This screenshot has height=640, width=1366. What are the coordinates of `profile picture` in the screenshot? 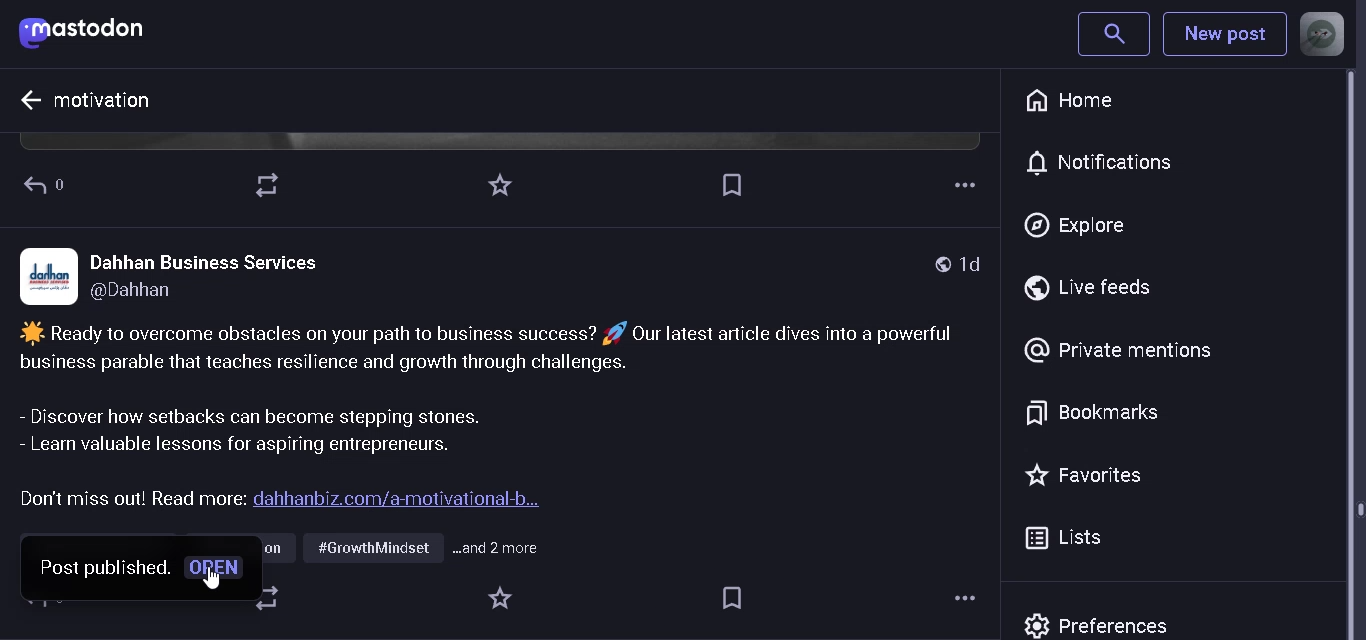 It's located at (1322, 34).